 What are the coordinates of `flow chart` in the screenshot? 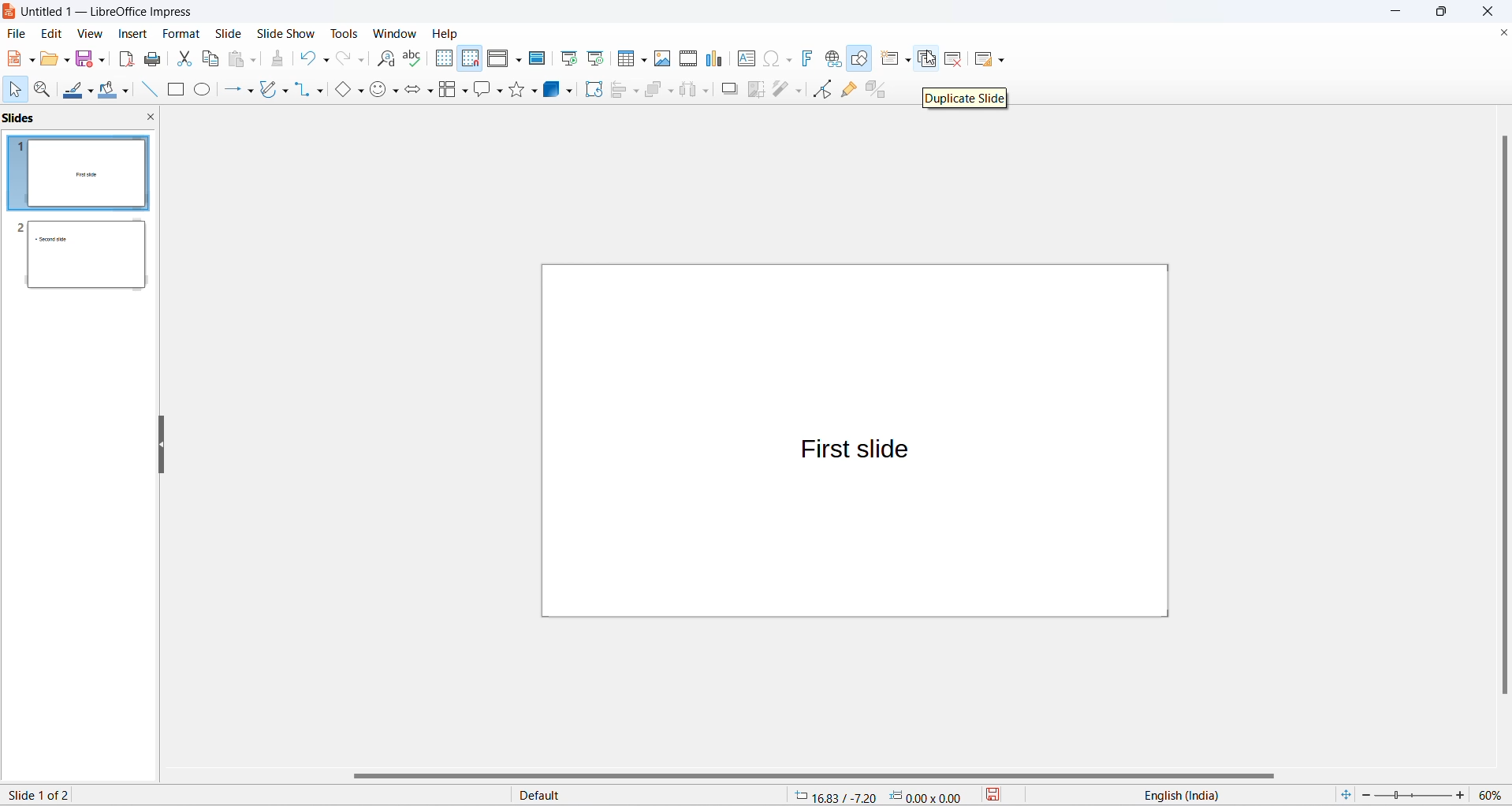 It's located at (445, 89).